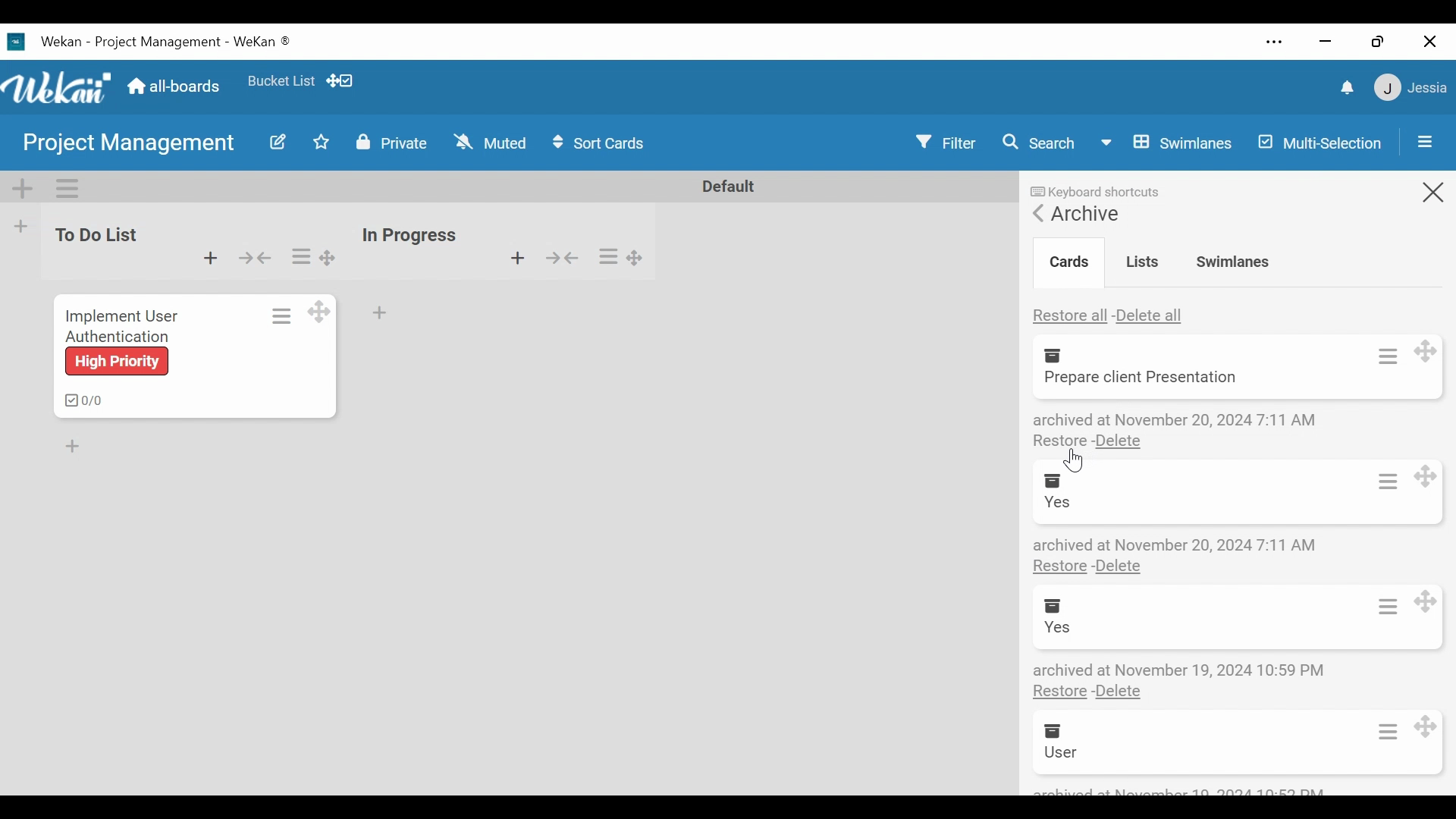 This screenshot has height=819, width=1456. I want to click on Collapse, so click(560, 258).